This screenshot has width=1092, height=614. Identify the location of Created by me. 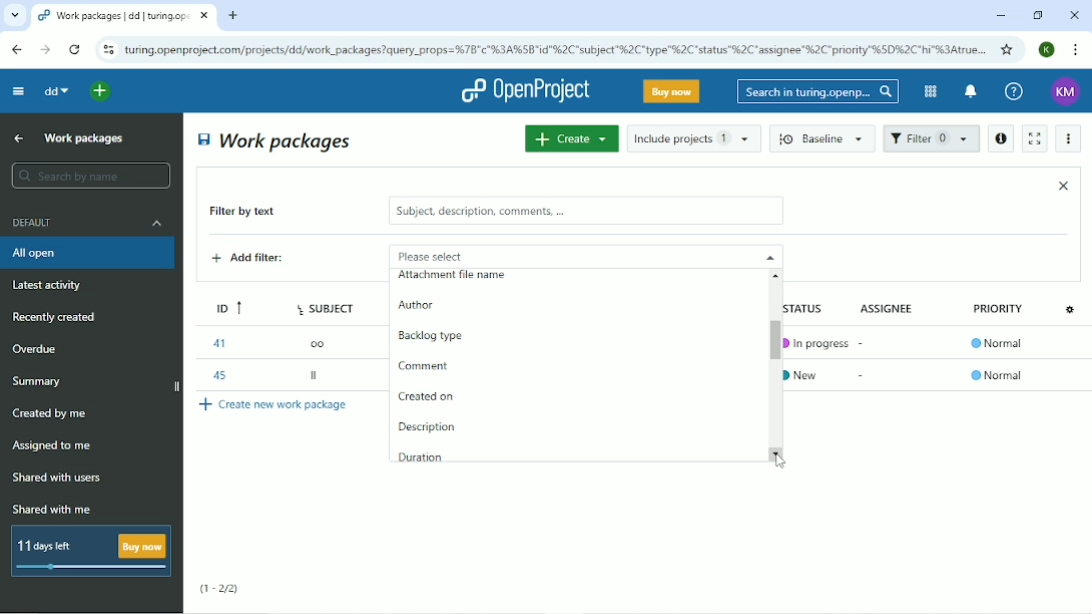
(53, 414).